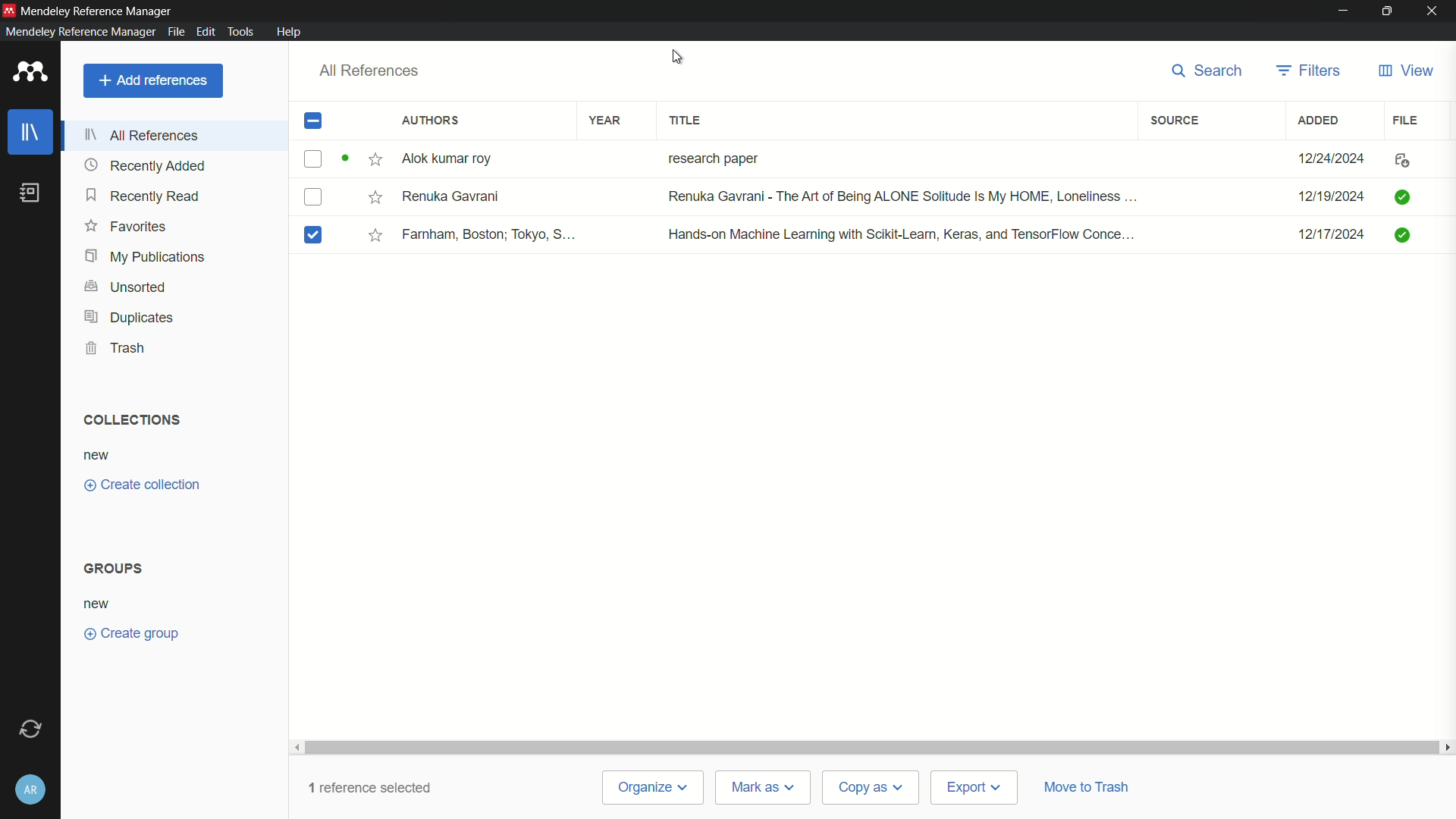  What do you see at coordinates (31, 72) in the screenshot?
I see `app icon` at bounding box center [31, 72].